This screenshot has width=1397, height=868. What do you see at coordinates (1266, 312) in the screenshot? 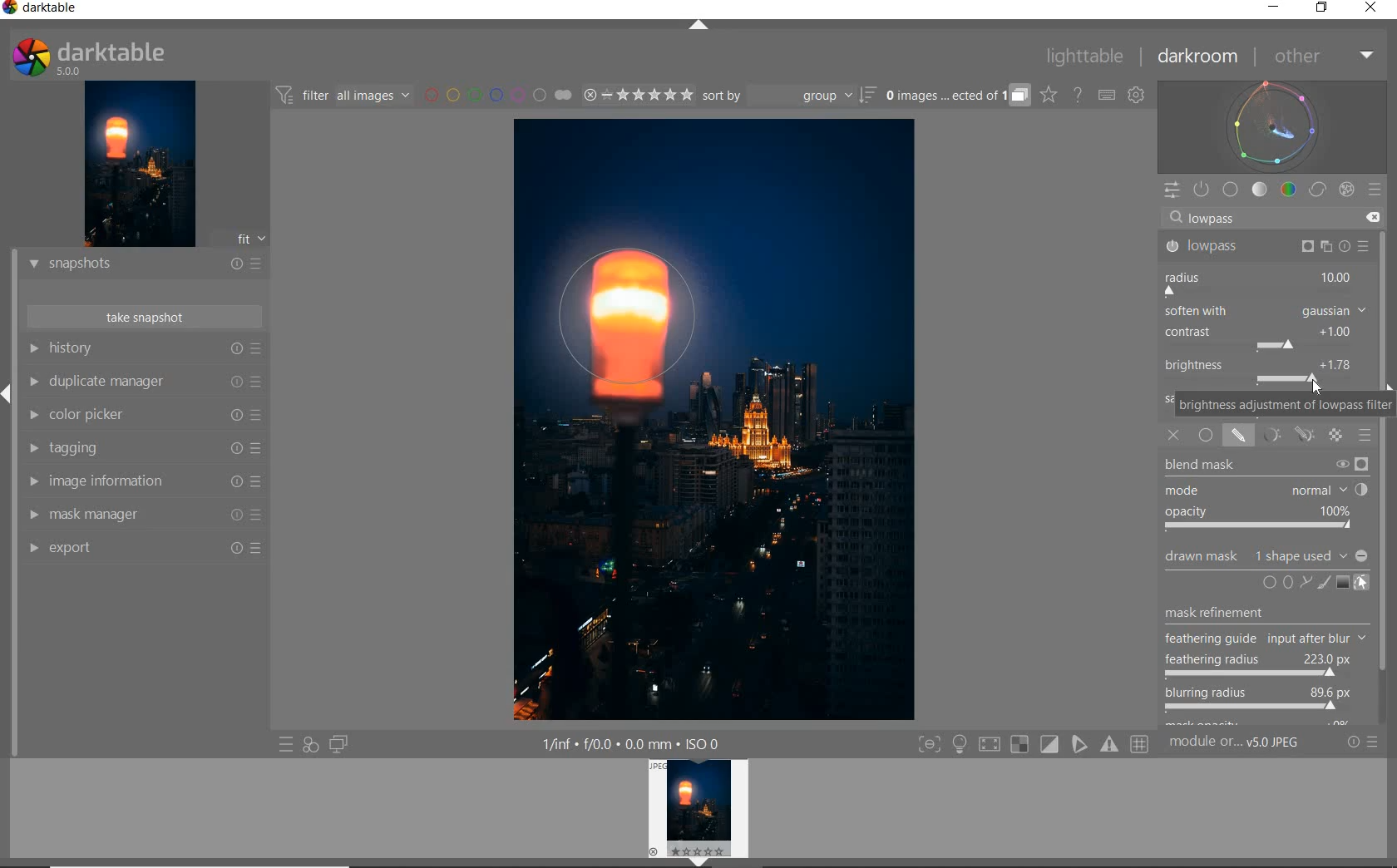
I see `SOFTEN WITH` at bounding box center [1266, 312].